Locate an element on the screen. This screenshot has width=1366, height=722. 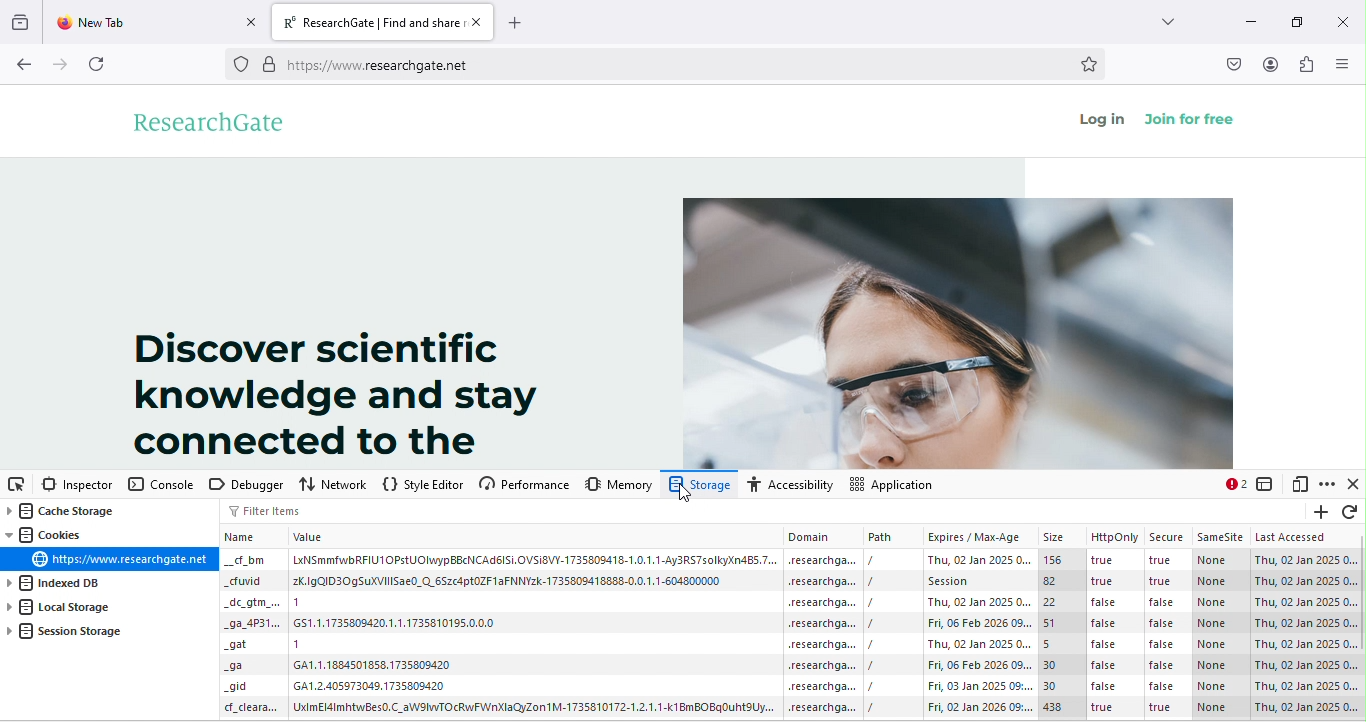
51 is located at coordinates (1049, 622).